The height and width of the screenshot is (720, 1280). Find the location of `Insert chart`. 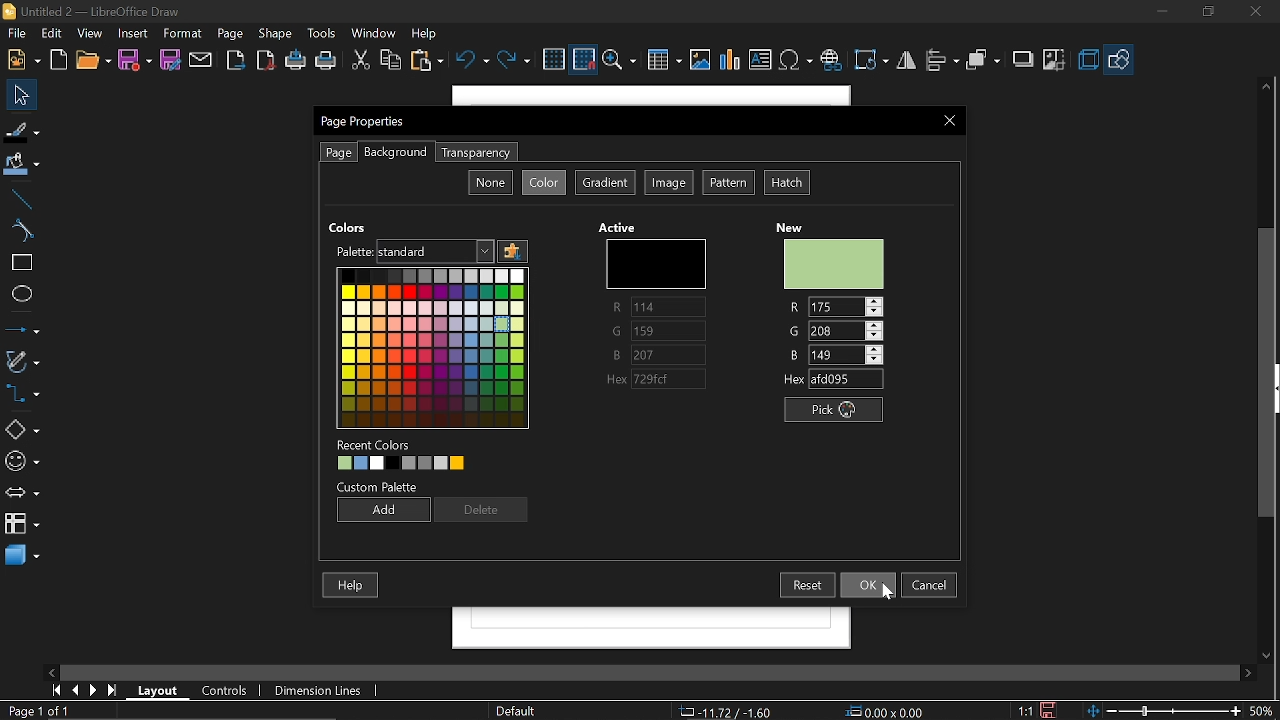

Insert chart is located at coordinates (730, 62).